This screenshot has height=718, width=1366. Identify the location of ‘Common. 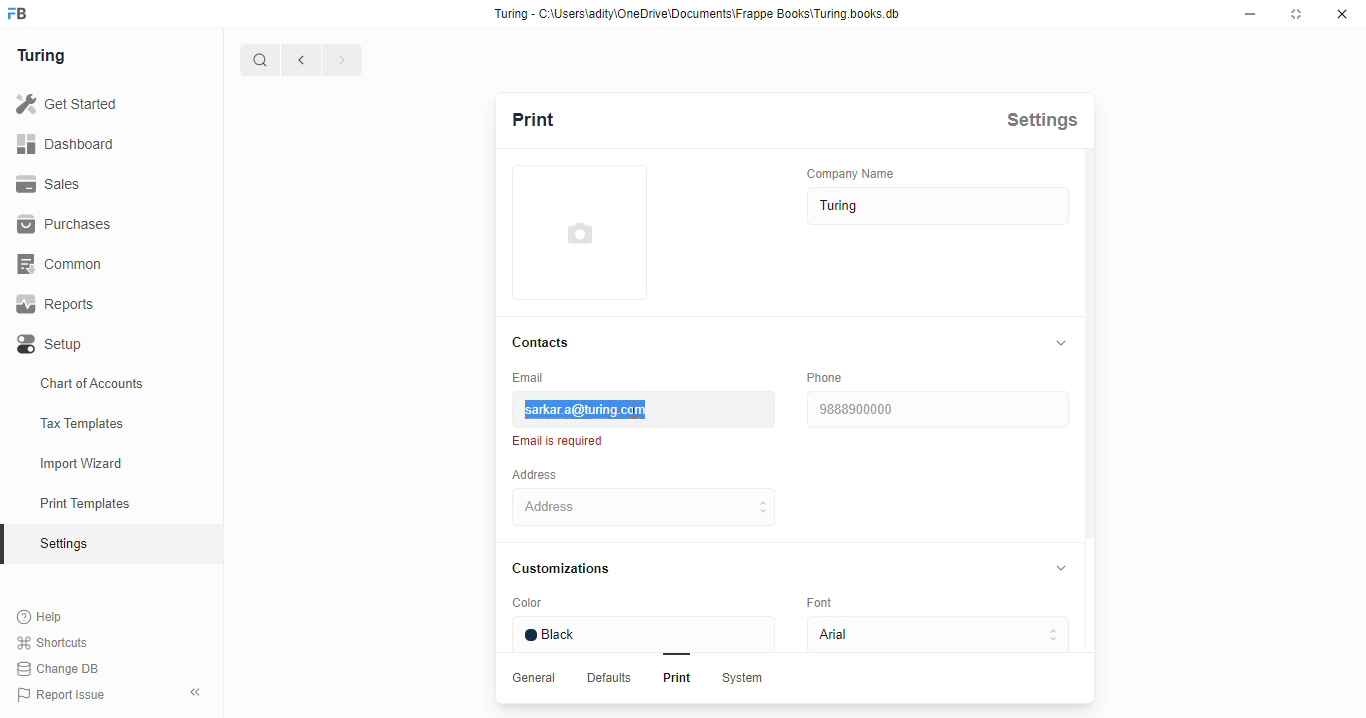
(65, 263).